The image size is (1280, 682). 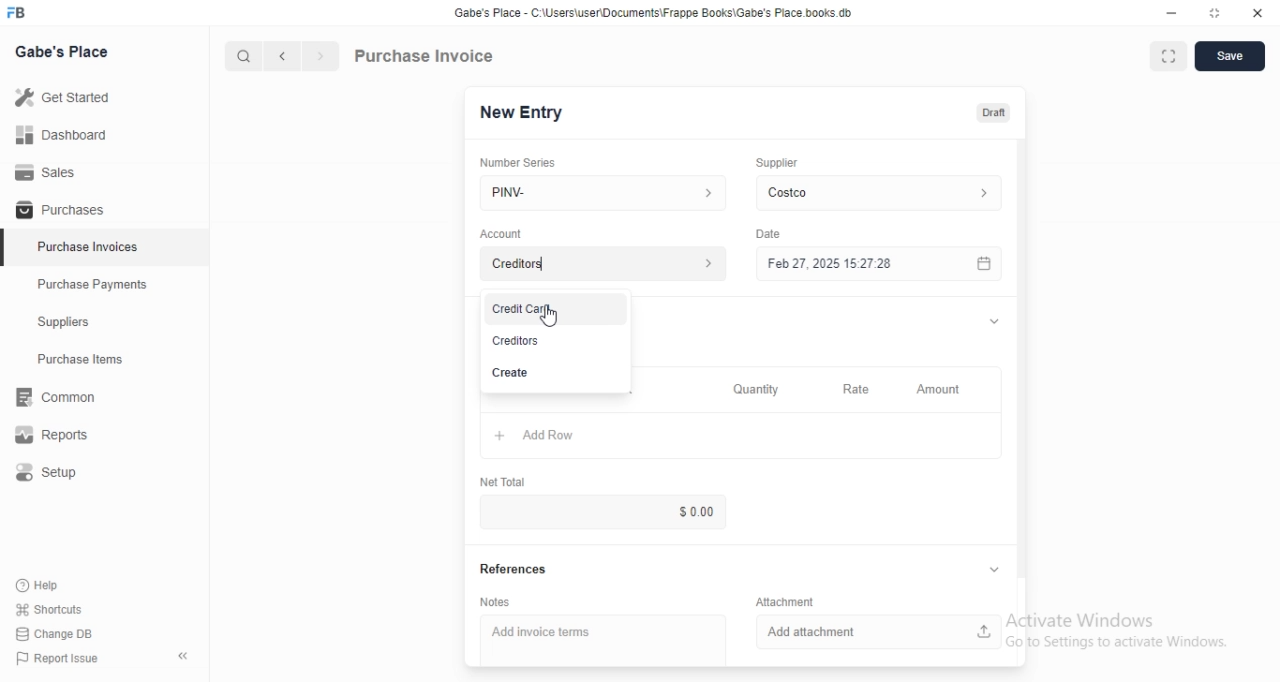 What do you see at coordinates (603, 193) in the screenshot?
I see `PINV-` at bounding box center [603, 193].